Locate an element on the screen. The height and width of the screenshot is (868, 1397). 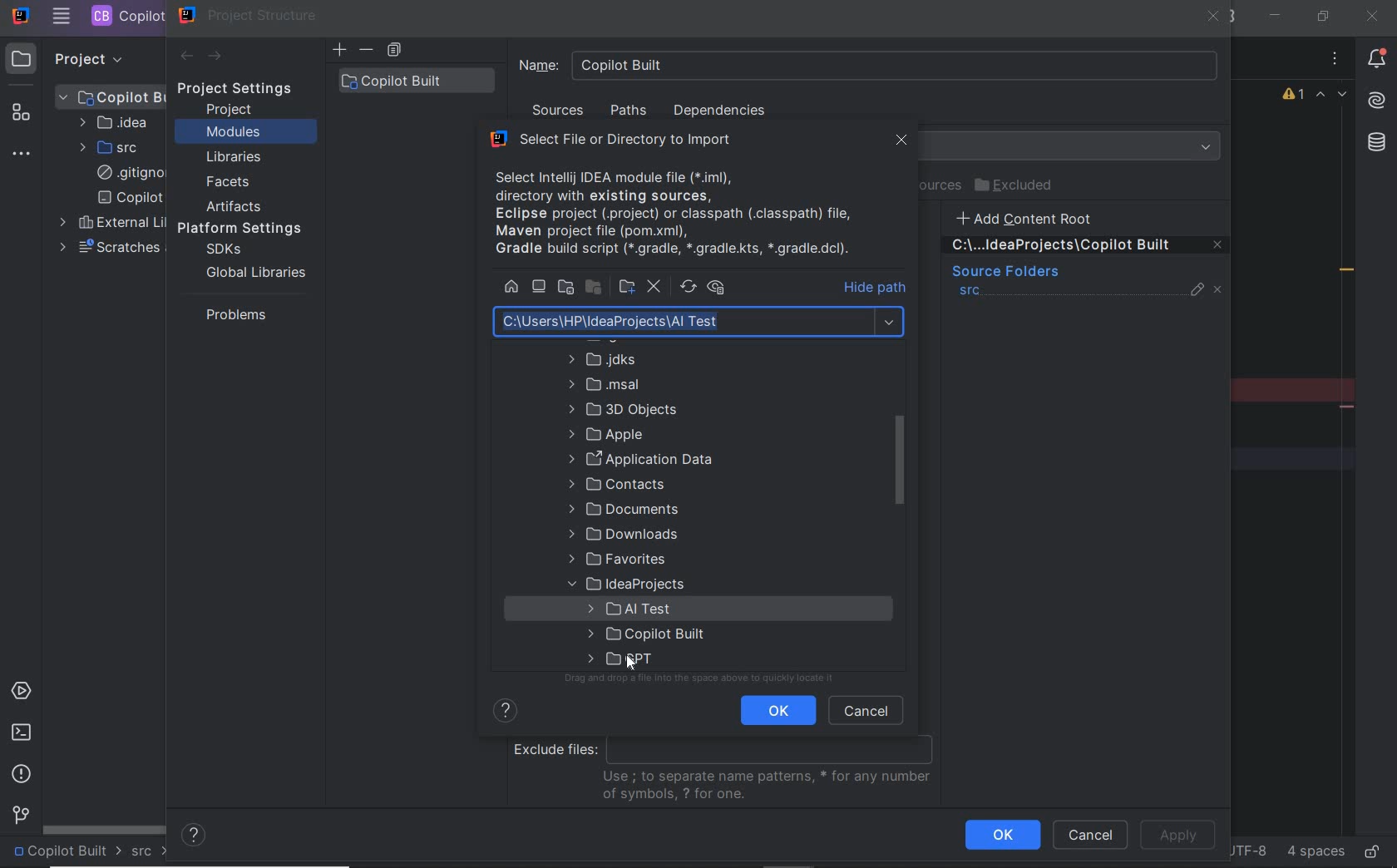
edit properties is located at coordinates (1198, 293).